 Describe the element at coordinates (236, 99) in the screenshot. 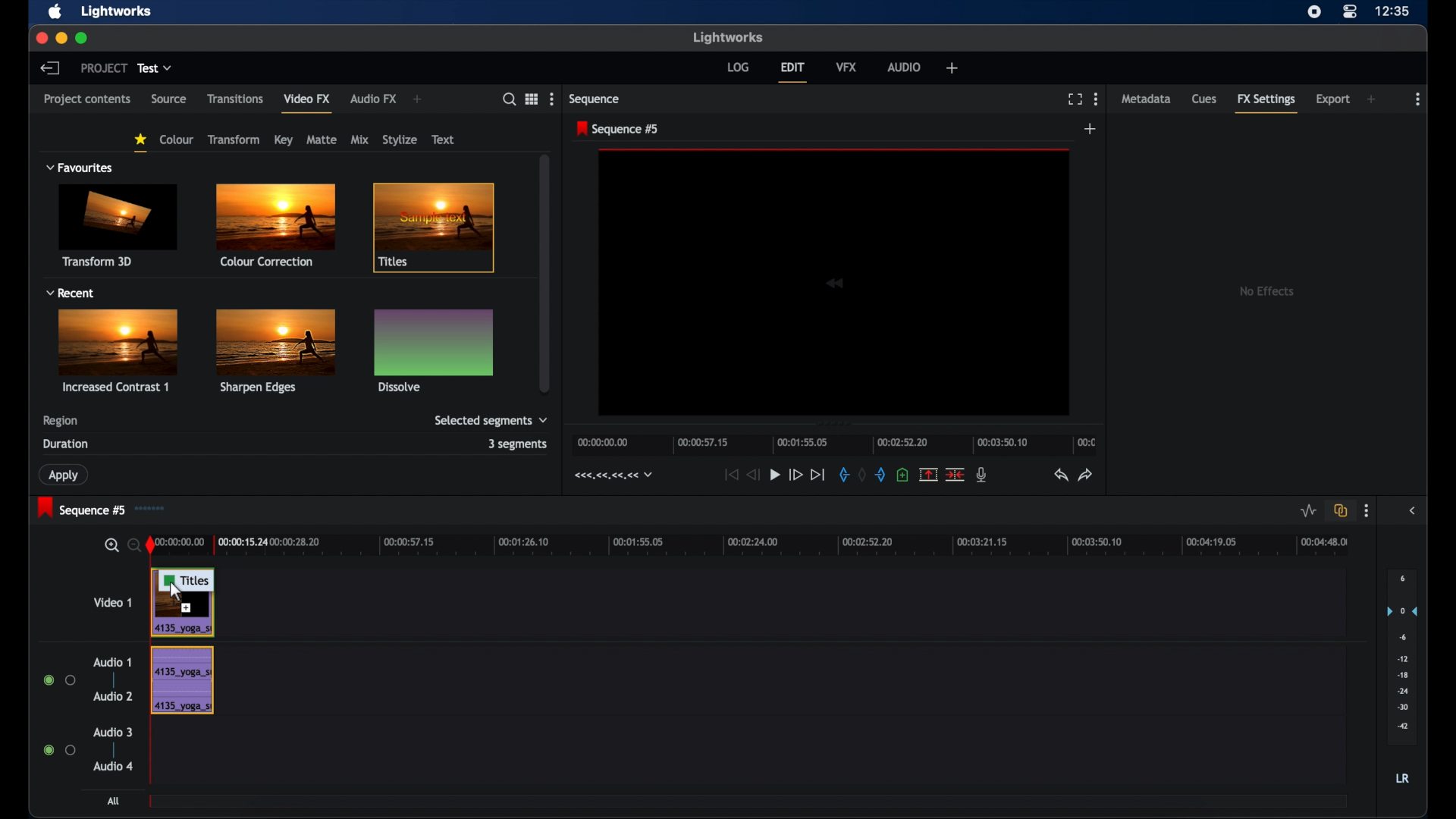

I see `transitions` at that location.